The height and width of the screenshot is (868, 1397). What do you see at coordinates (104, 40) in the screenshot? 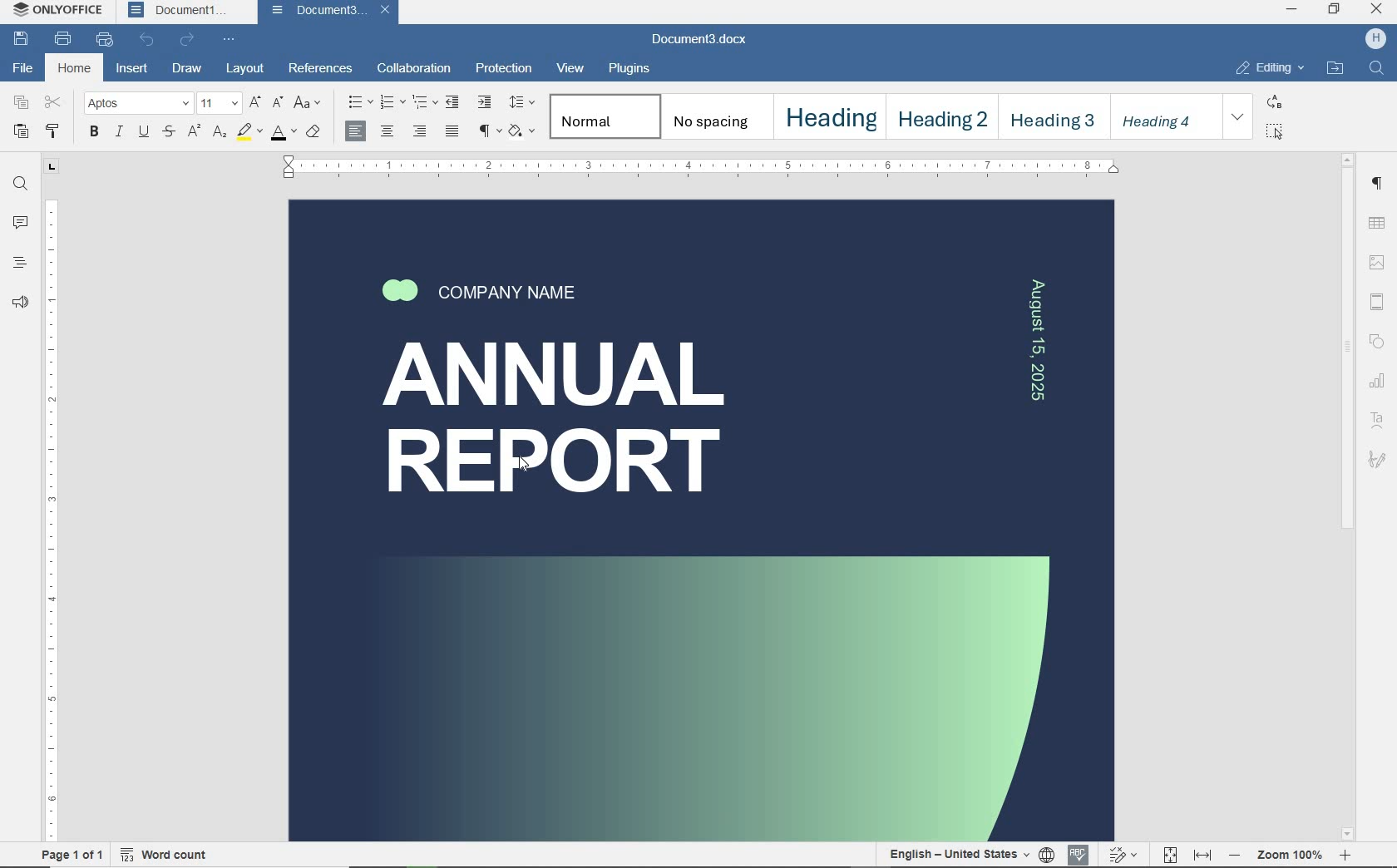
I see `quick print` at bounding box center [104, 40].